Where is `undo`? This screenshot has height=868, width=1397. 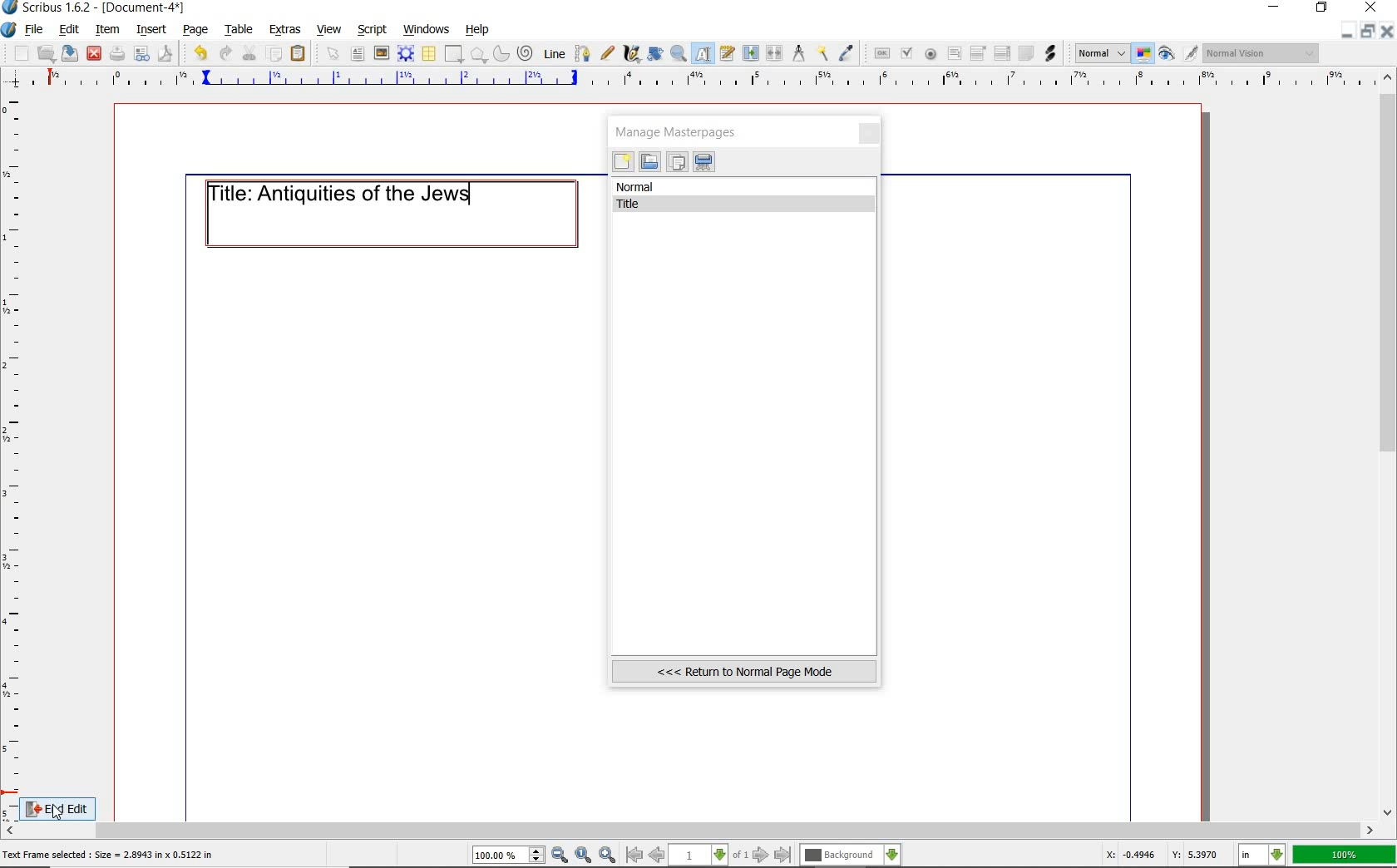
undo is located at coordinates (197, 52).